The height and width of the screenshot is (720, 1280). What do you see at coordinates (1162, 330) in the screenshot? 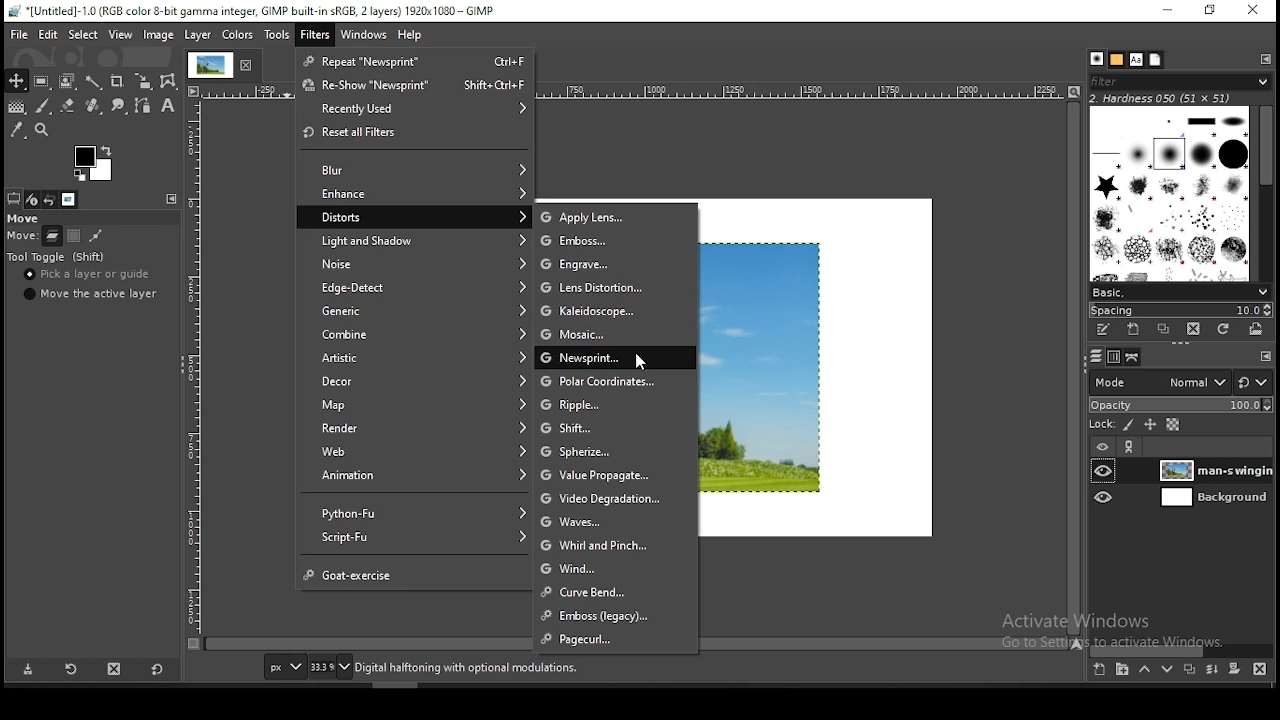
I see `duplicate brush` at bounding box center [1162, 330].